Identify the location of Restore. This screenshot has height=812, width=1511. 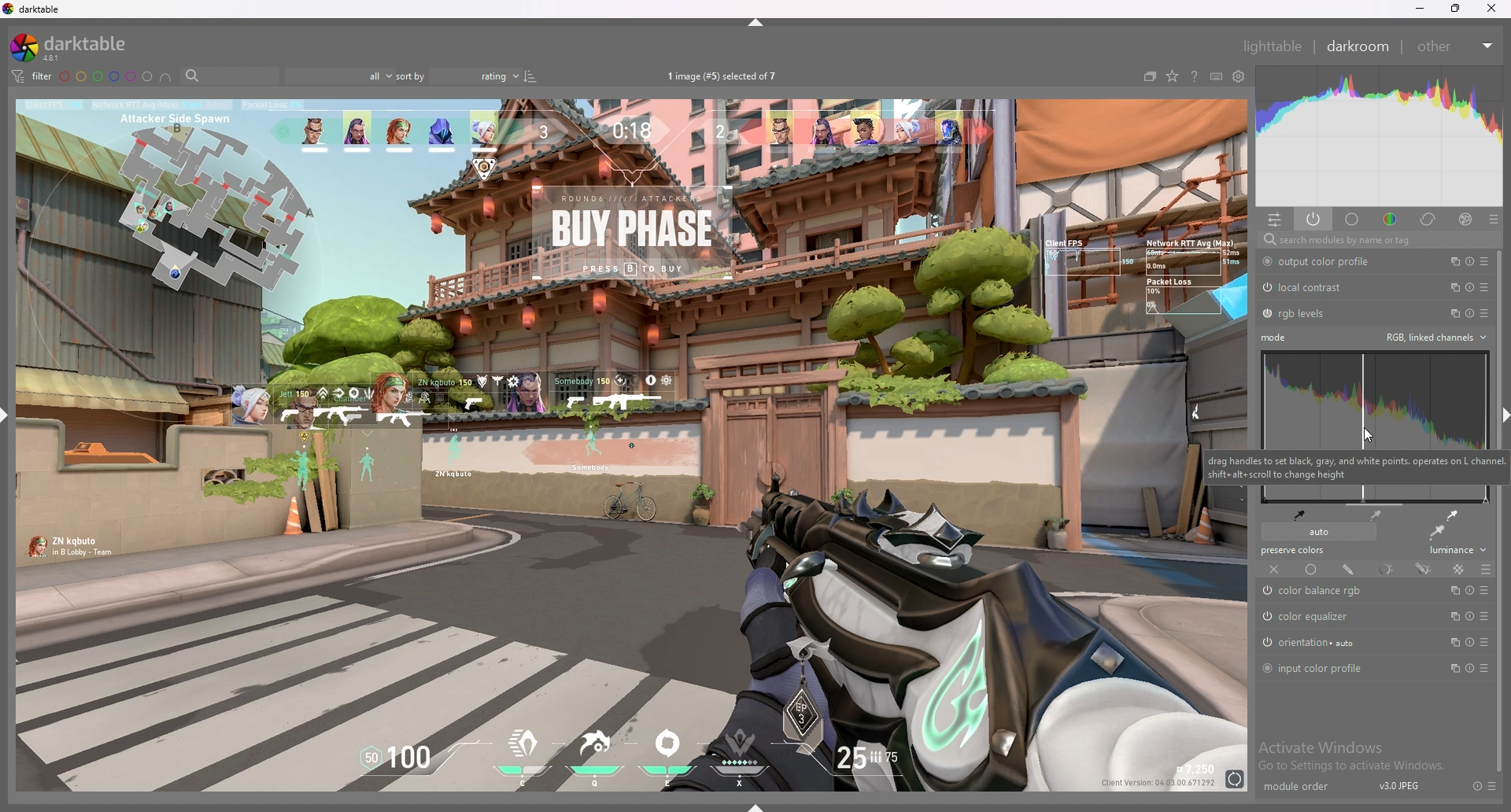
(1454, 12).